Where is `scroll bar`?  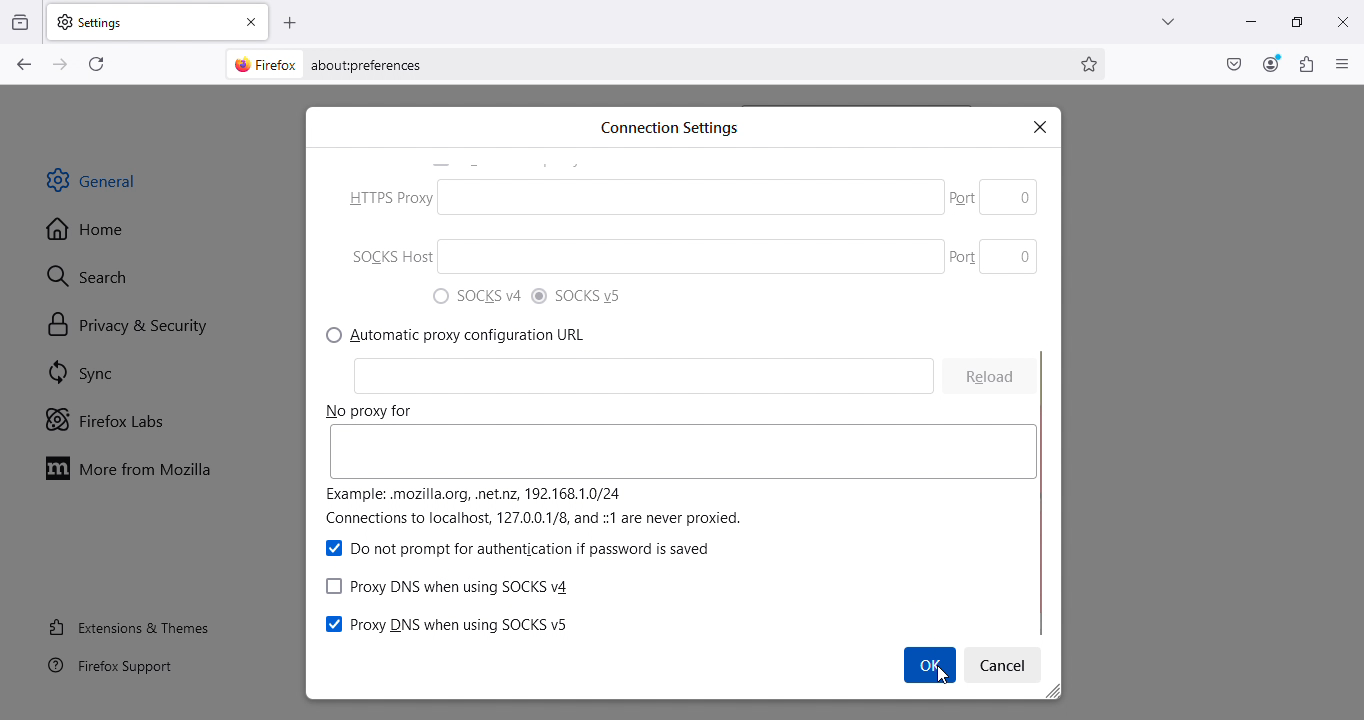
scroll bar is located at coordinates (1051, 344).